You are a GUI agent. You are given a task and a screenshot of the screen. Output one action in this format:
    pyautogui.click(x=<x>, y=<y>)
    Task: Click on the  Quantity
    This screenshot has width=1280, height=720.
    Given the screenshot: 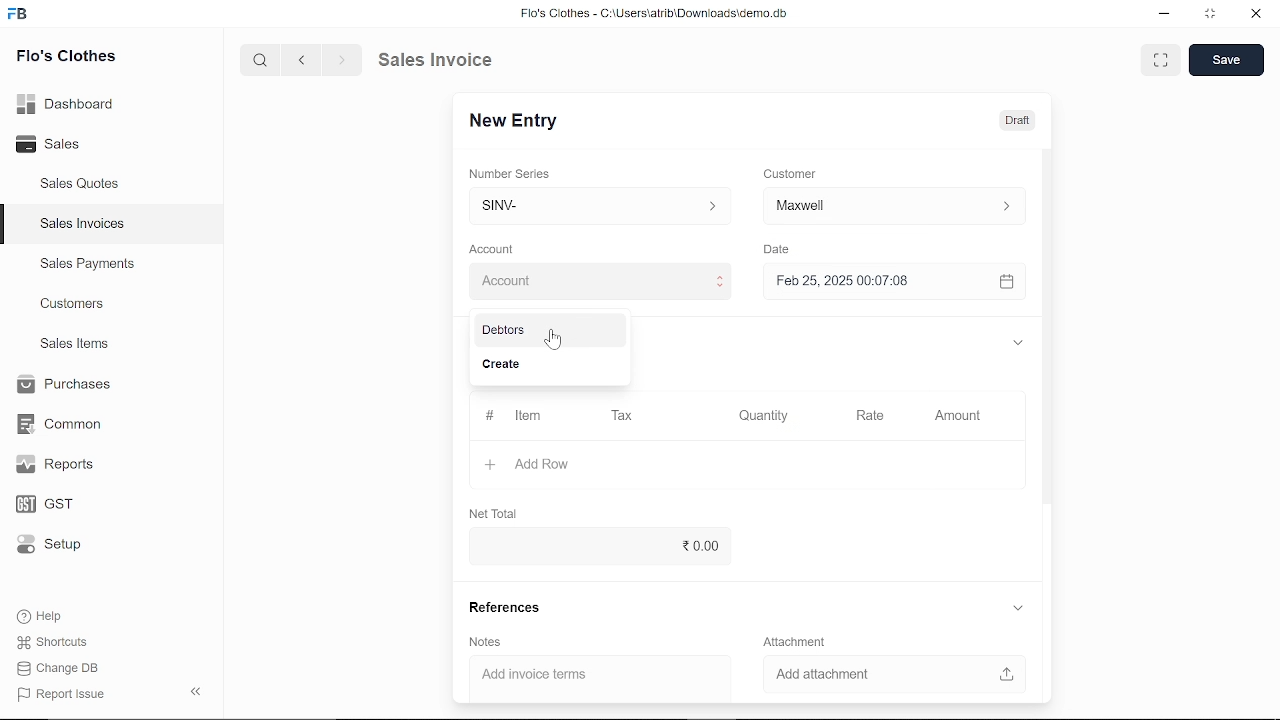 What is the action you would take?
    pyautogui.click(x=760, y=416)
    